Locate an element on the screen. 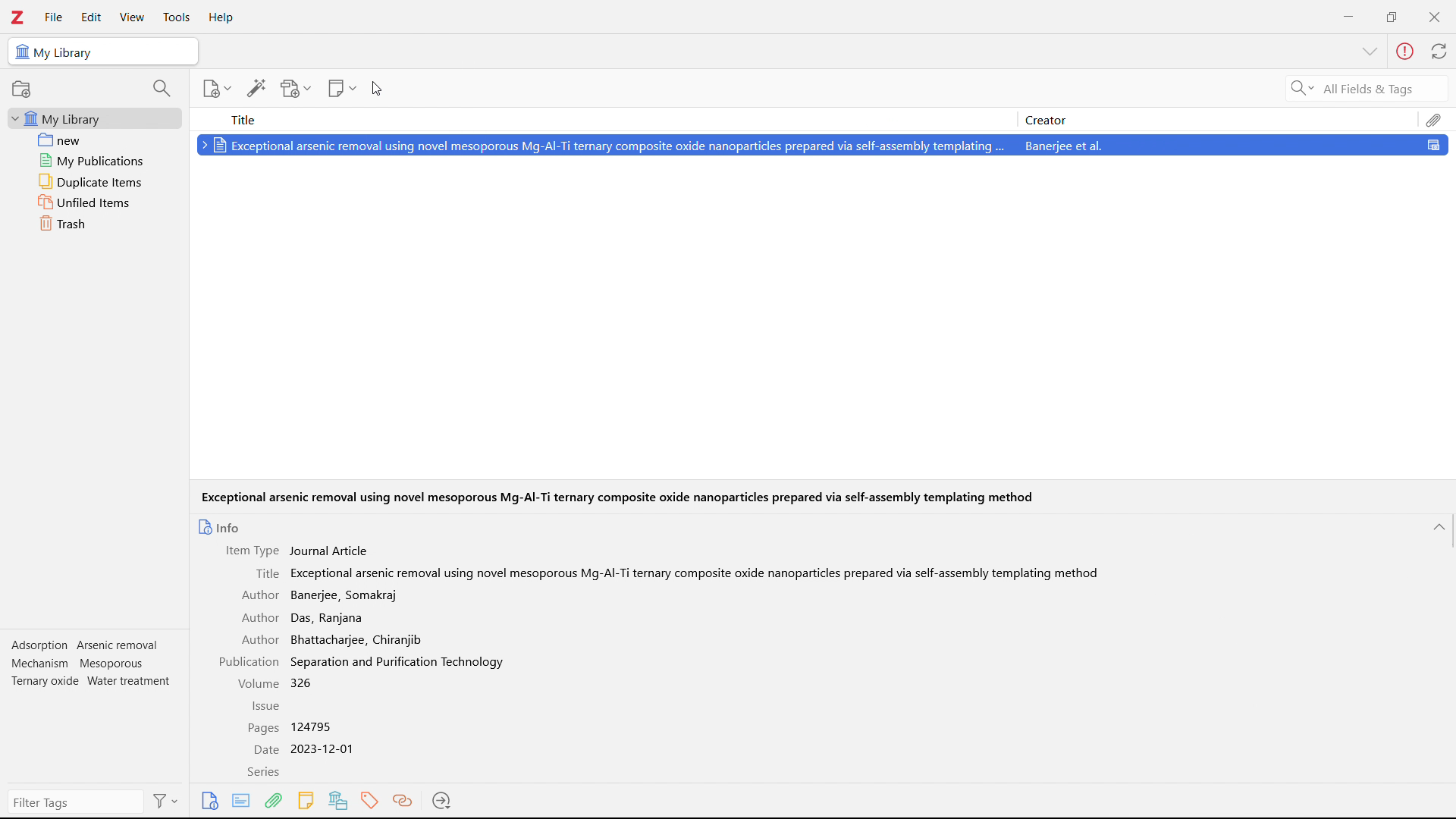 The image size is (1456, 819). abstract is located at coordinates (241, 801).